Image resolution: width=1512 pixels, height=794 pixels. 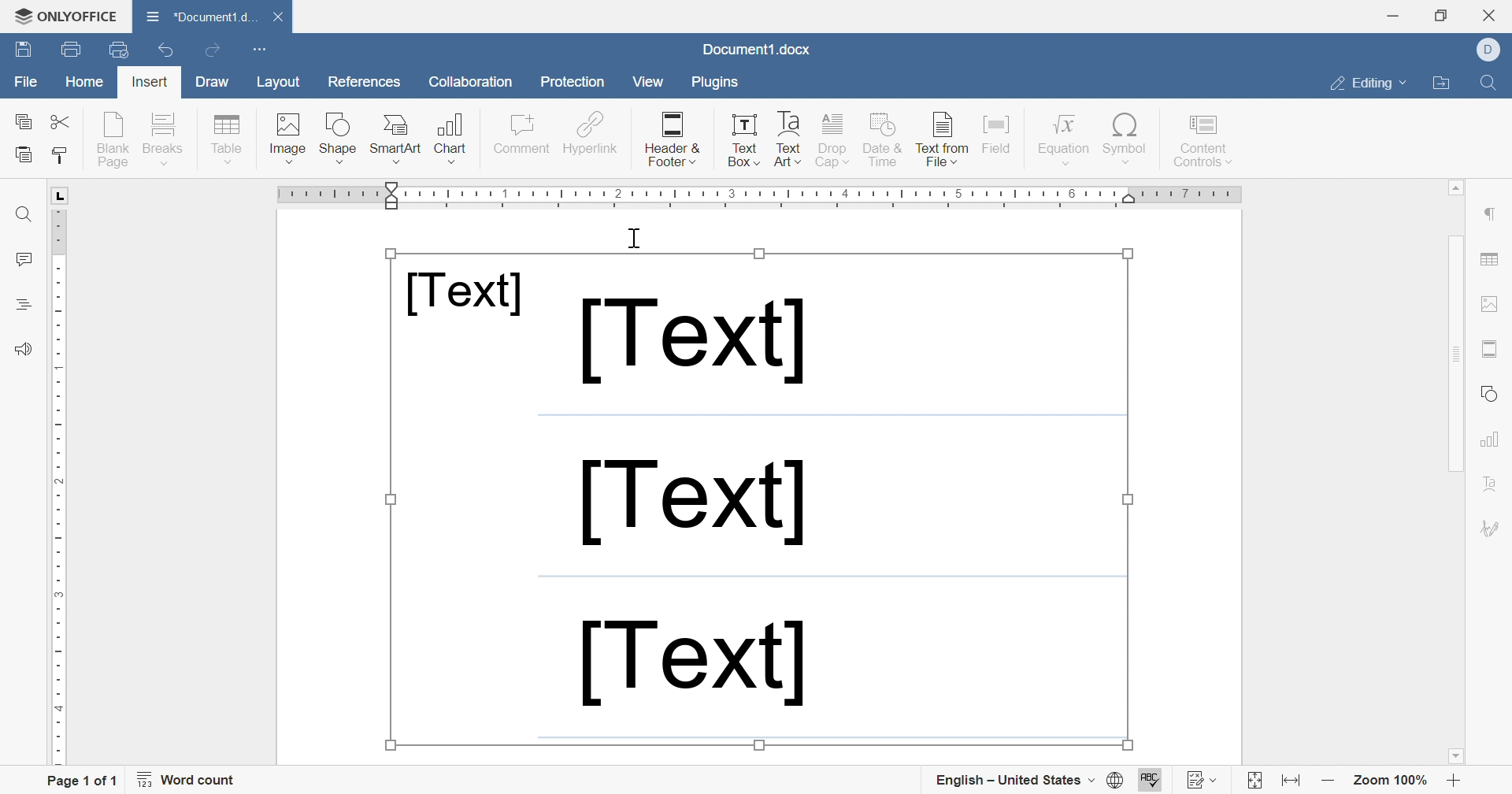 I want to click on text Cursor, so click(x=637, y=238).